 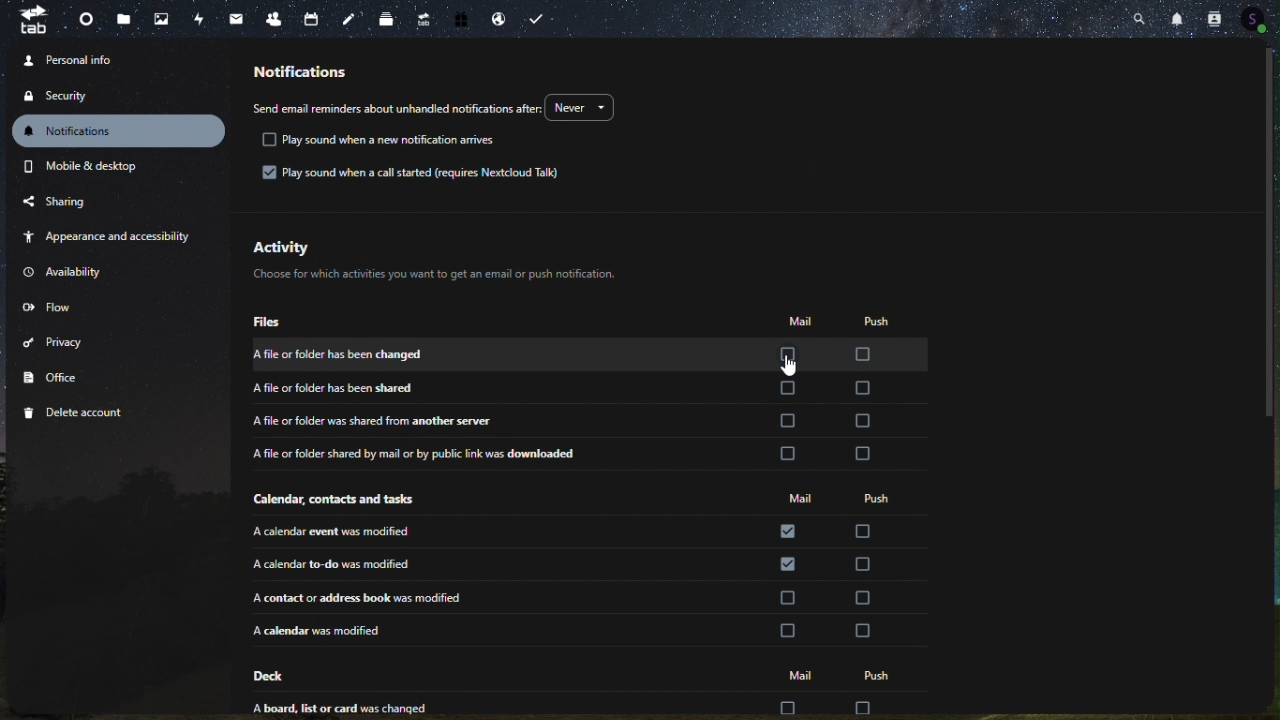 I want to click on check box, so click(x=788, y=597).